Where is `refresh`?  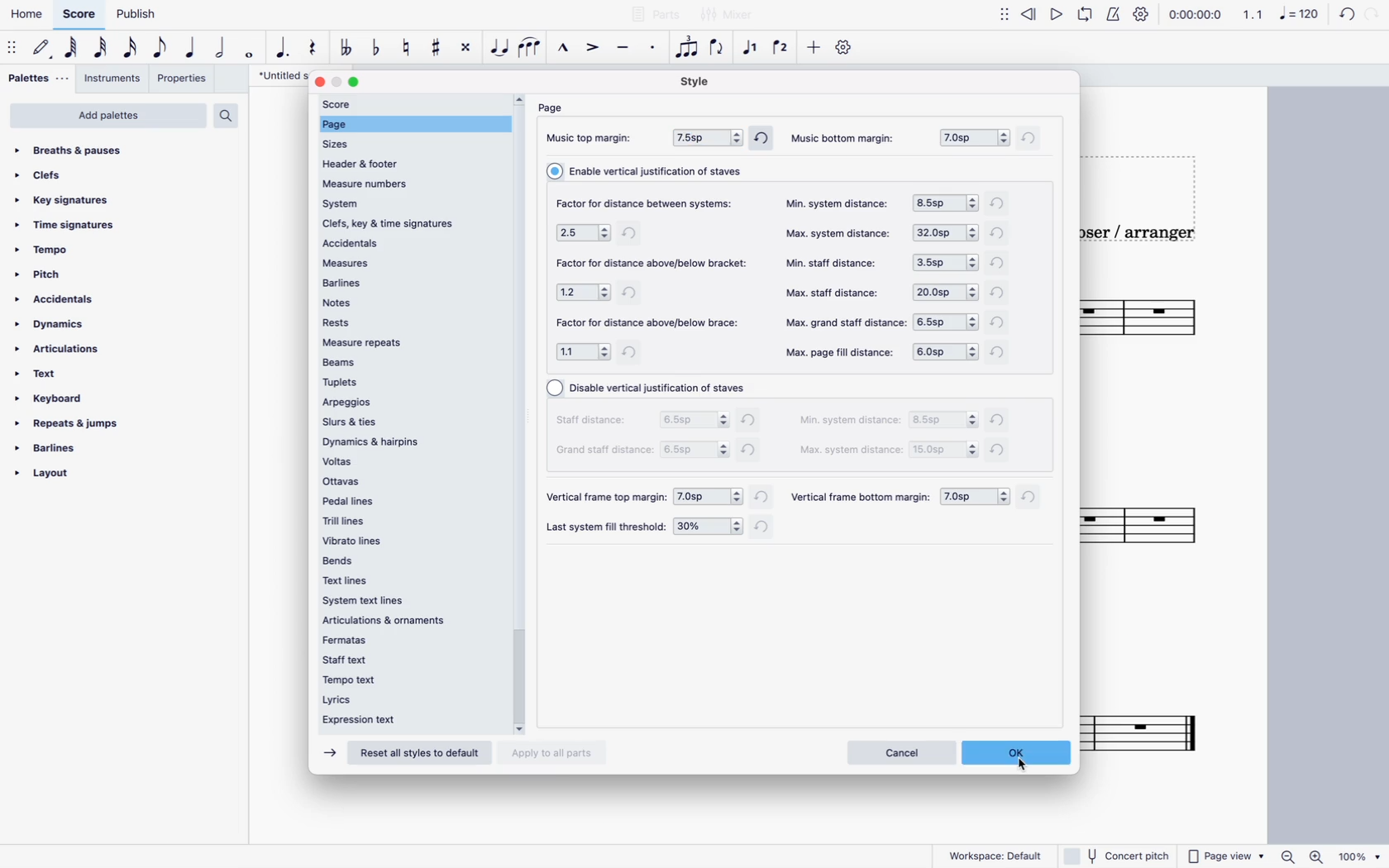 refresh is located at coordinates (1000, 453).